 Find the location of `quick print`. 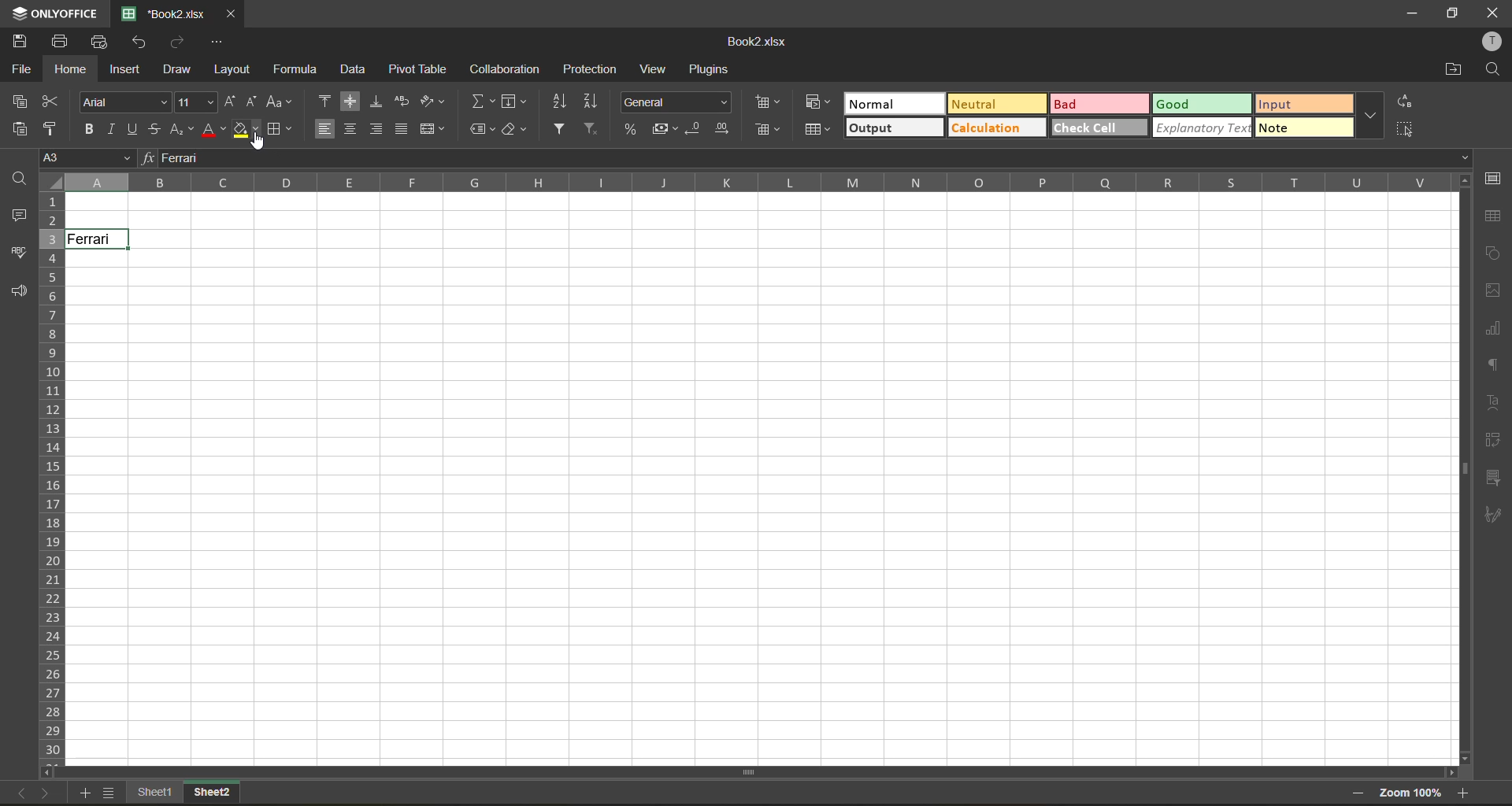

quick print is located at coordinates (100, 43).